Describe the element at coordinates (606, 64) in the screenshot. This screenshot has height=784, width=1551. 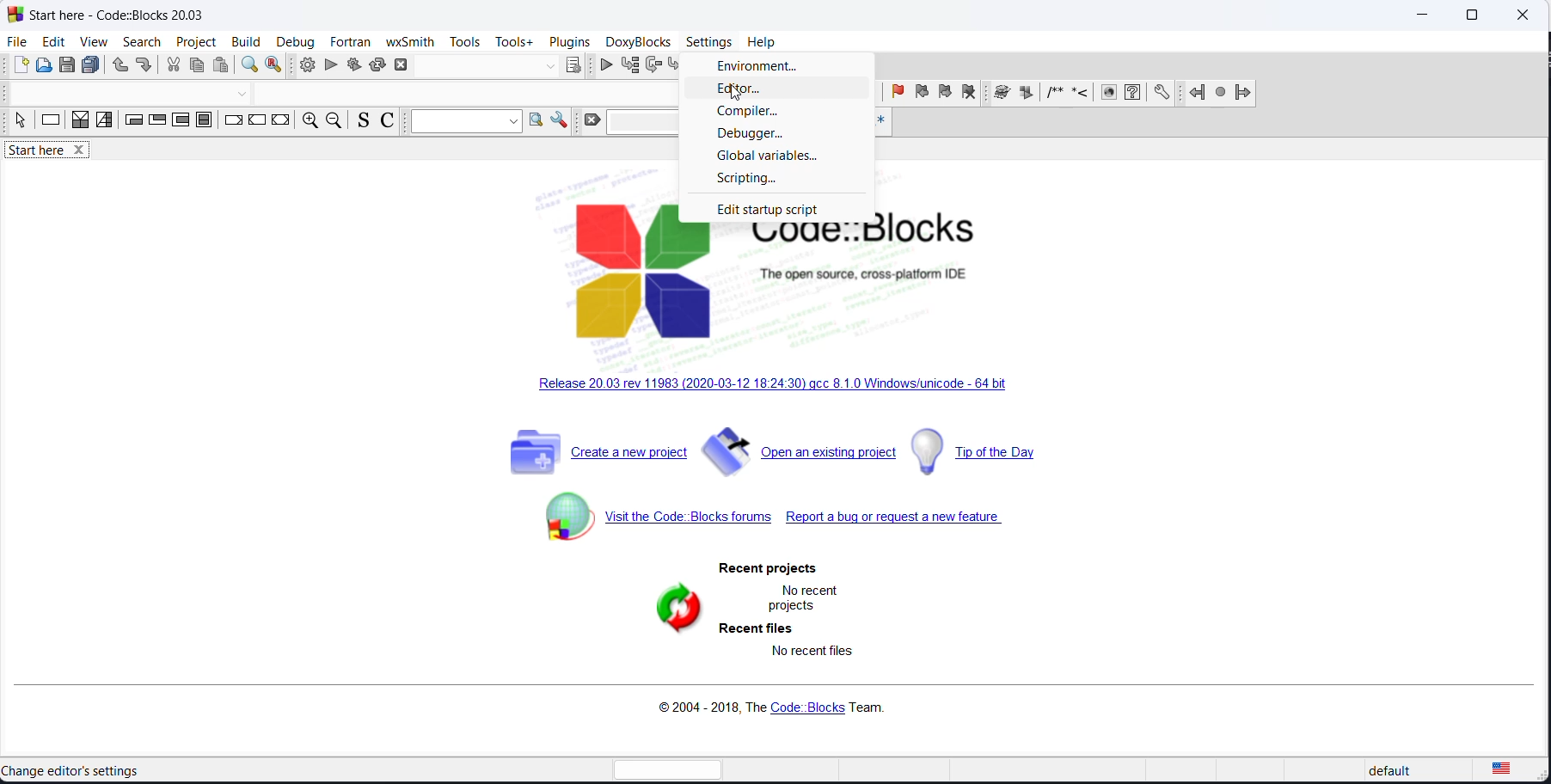
I see `continue debugging` at that location.